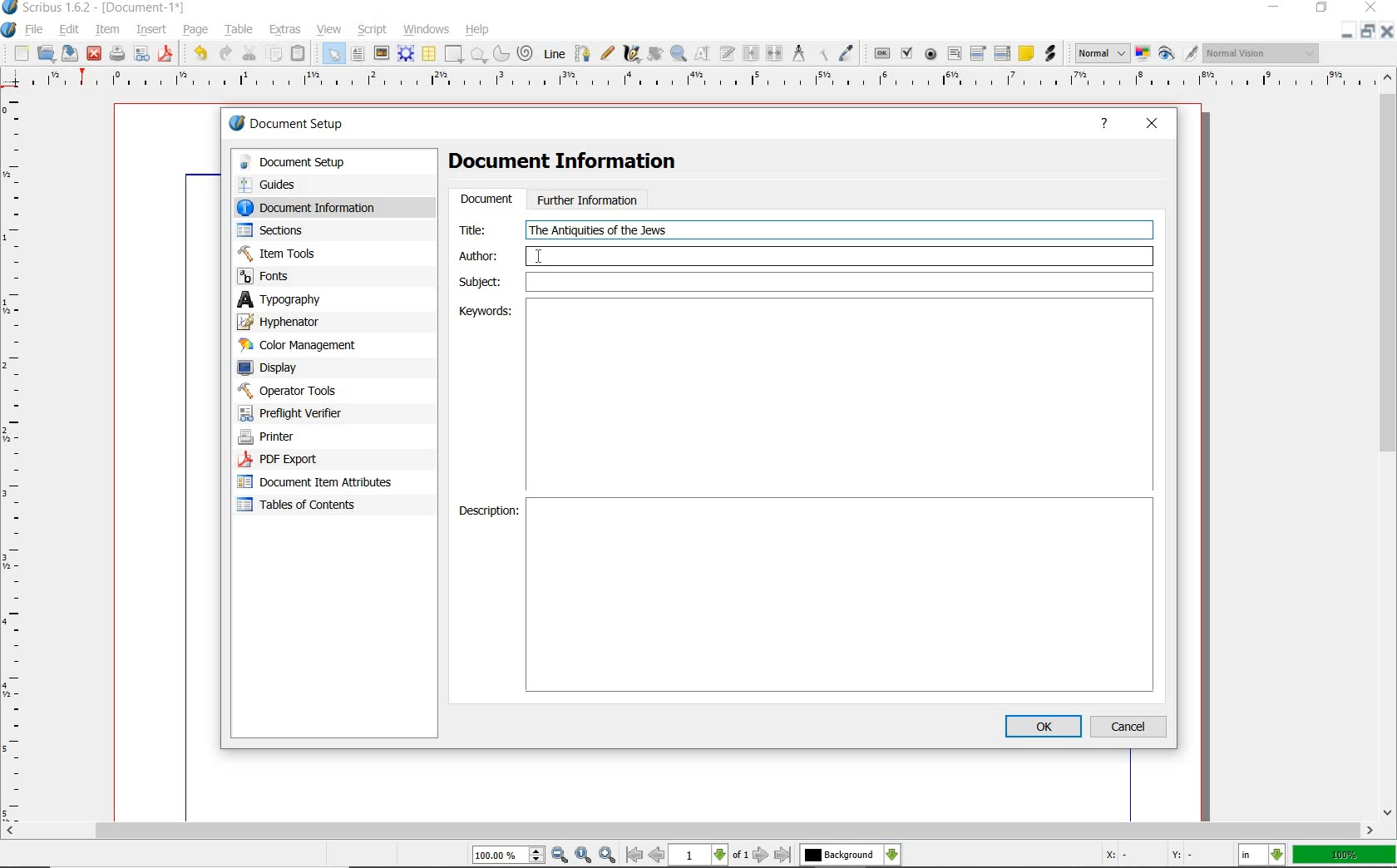 The height and width of the screenshot is (868, 1397). I want to click on save, so click(72, 53).